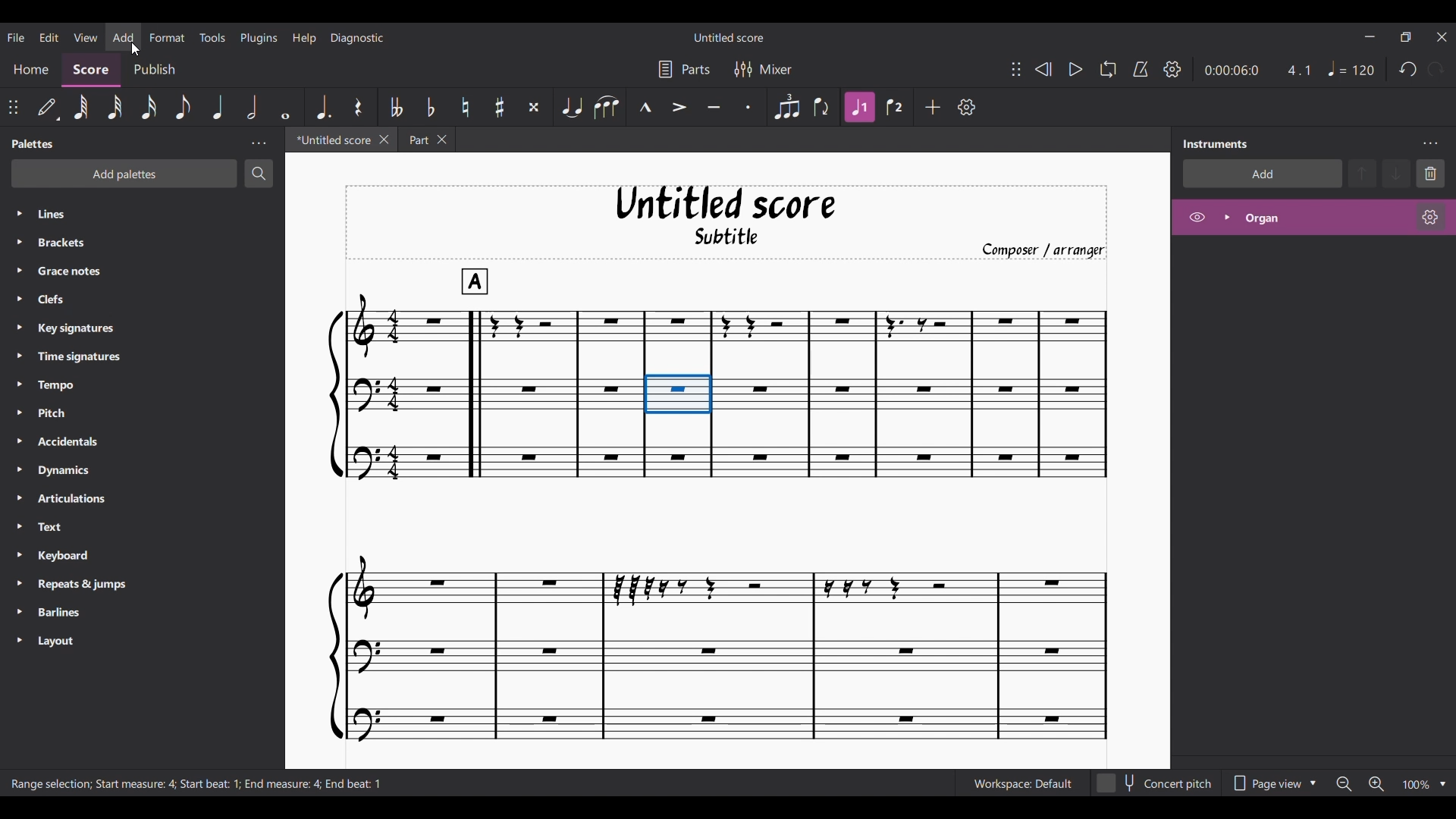 The width and height of the screenshot is (1456, 819). What do you see at coordinates (1431, 173) in the screenshot?
I see `Delete` at bounding box center [1431, 173].